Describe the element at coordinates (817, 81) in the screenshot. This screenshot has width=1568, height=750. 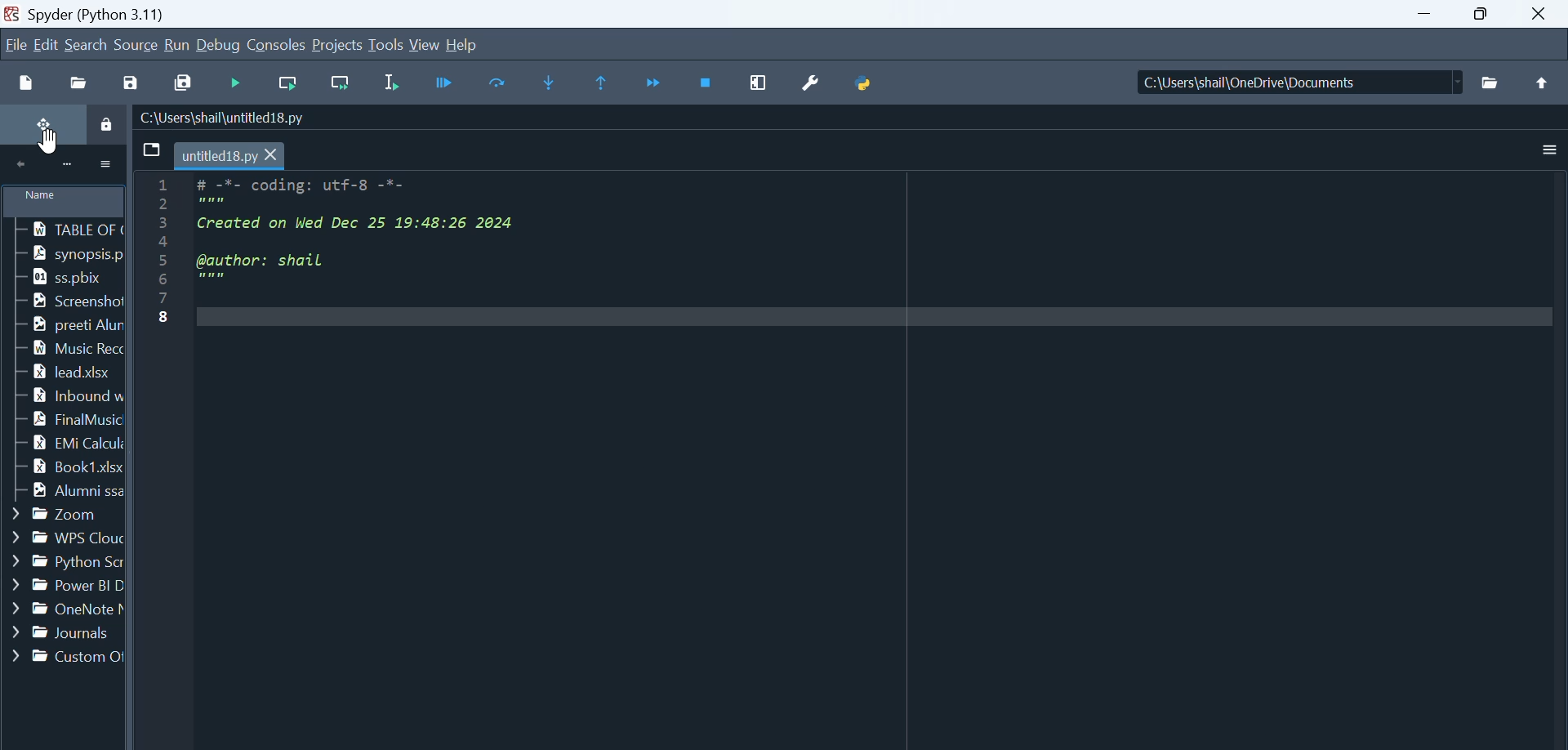
I see `Preferences` at that location.